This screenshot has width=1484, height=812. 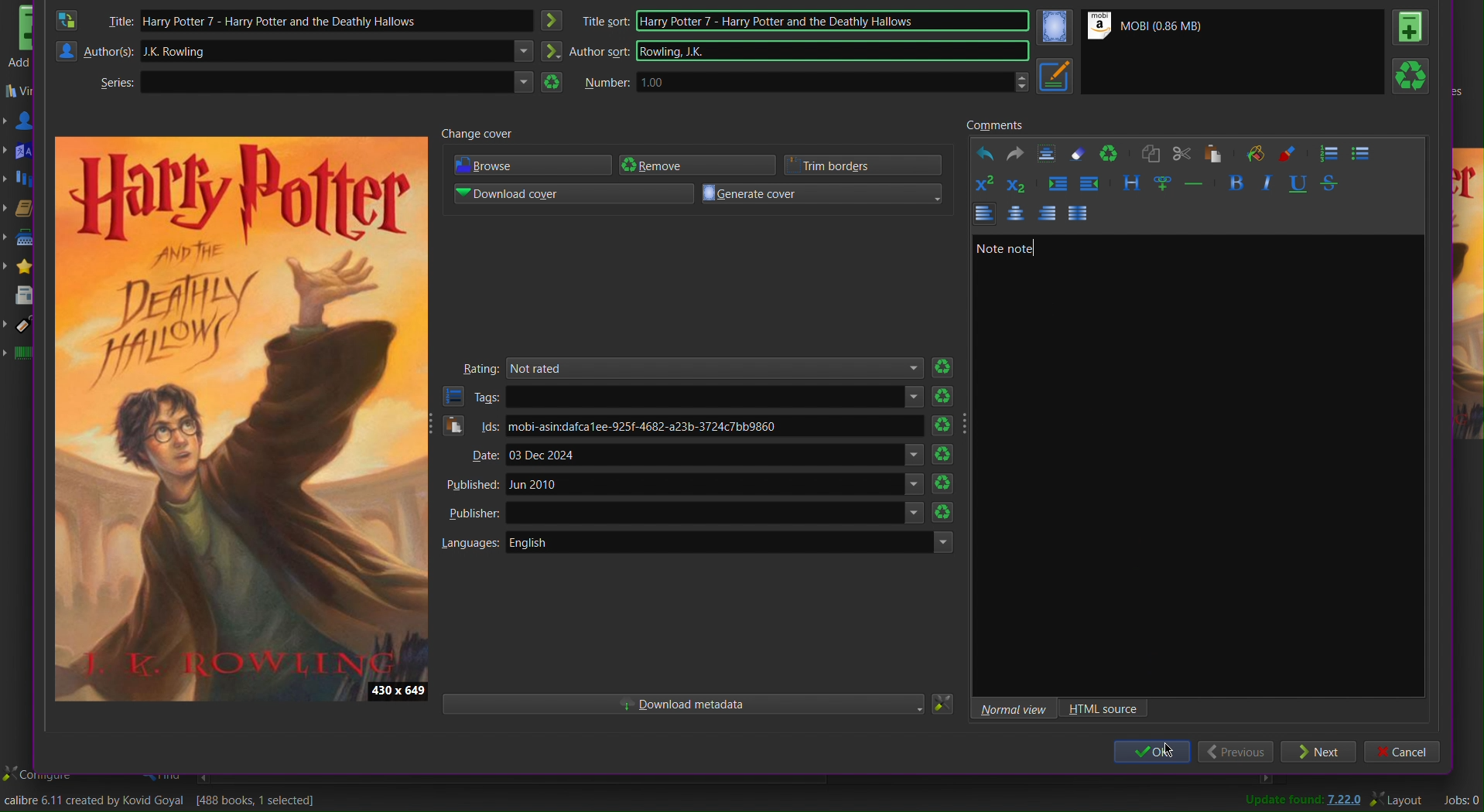 What do you see at coordinates (1077, 213) in the screenshot?
I see `Justify` at bounding box center [1077, 213].